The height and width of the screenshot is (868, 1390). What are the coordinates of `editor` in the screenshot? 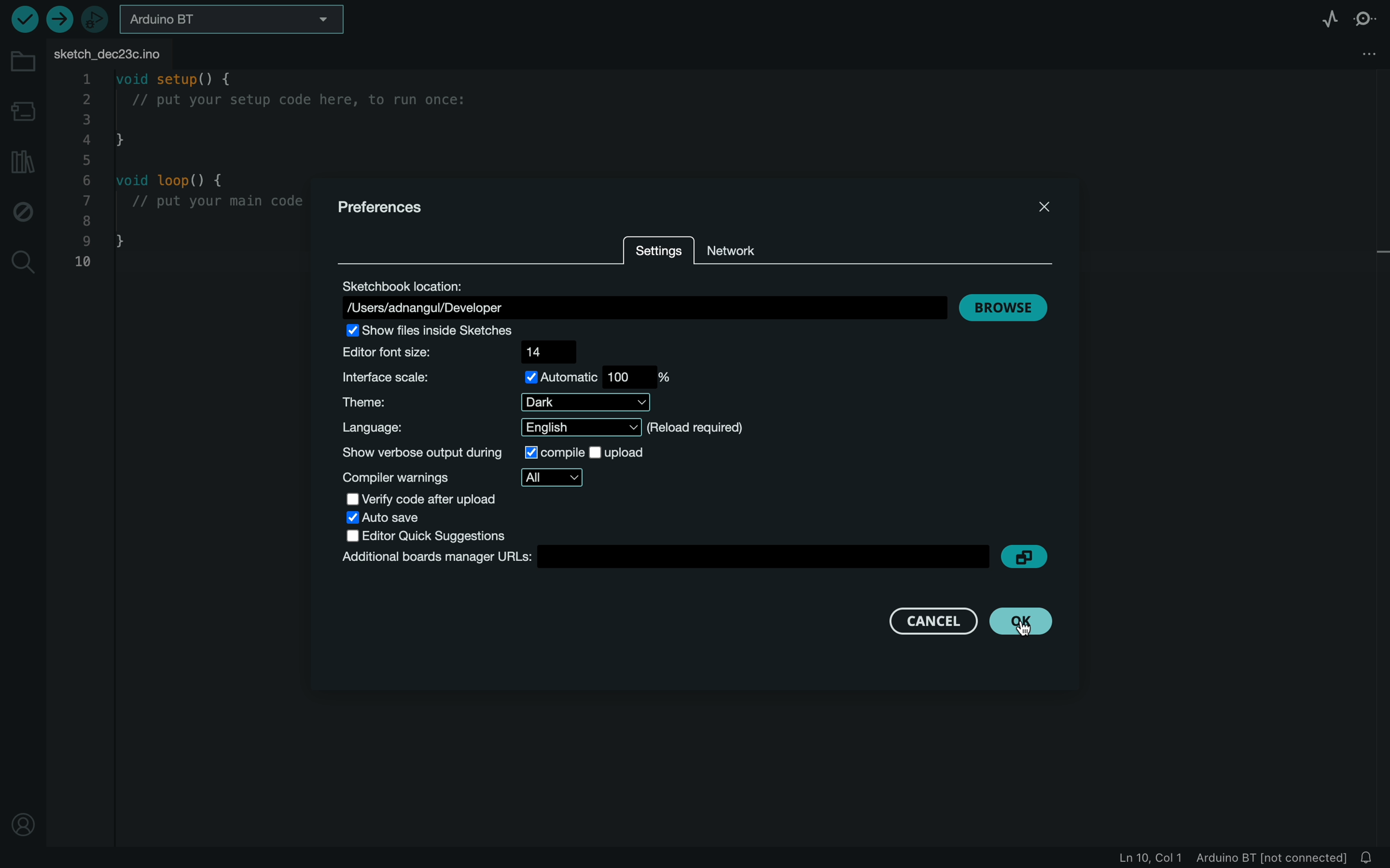 It's located at (443, 537).